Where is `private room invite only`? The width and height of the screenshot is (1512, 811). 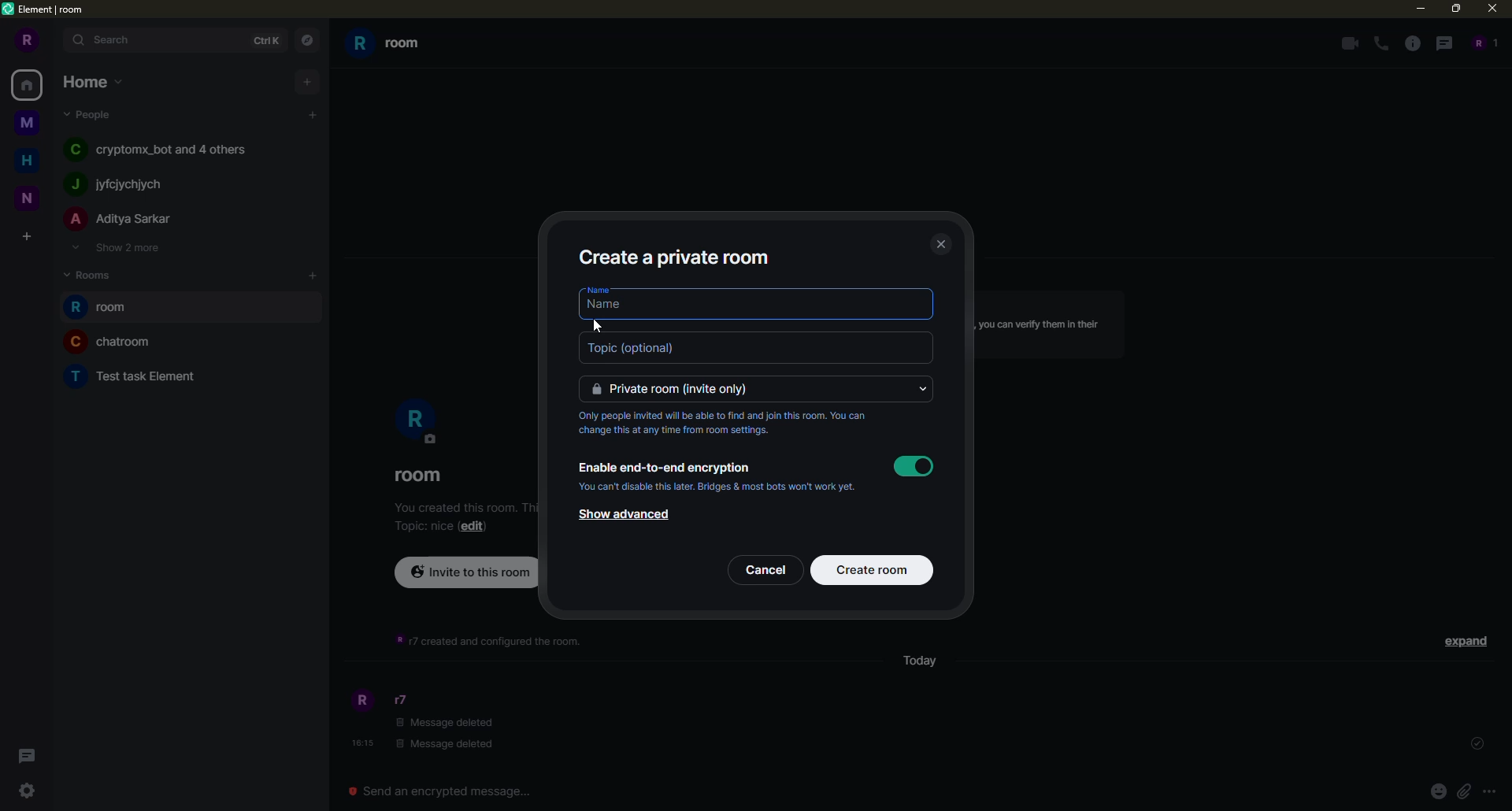
private room invite only is located at coordinates (759, 389).